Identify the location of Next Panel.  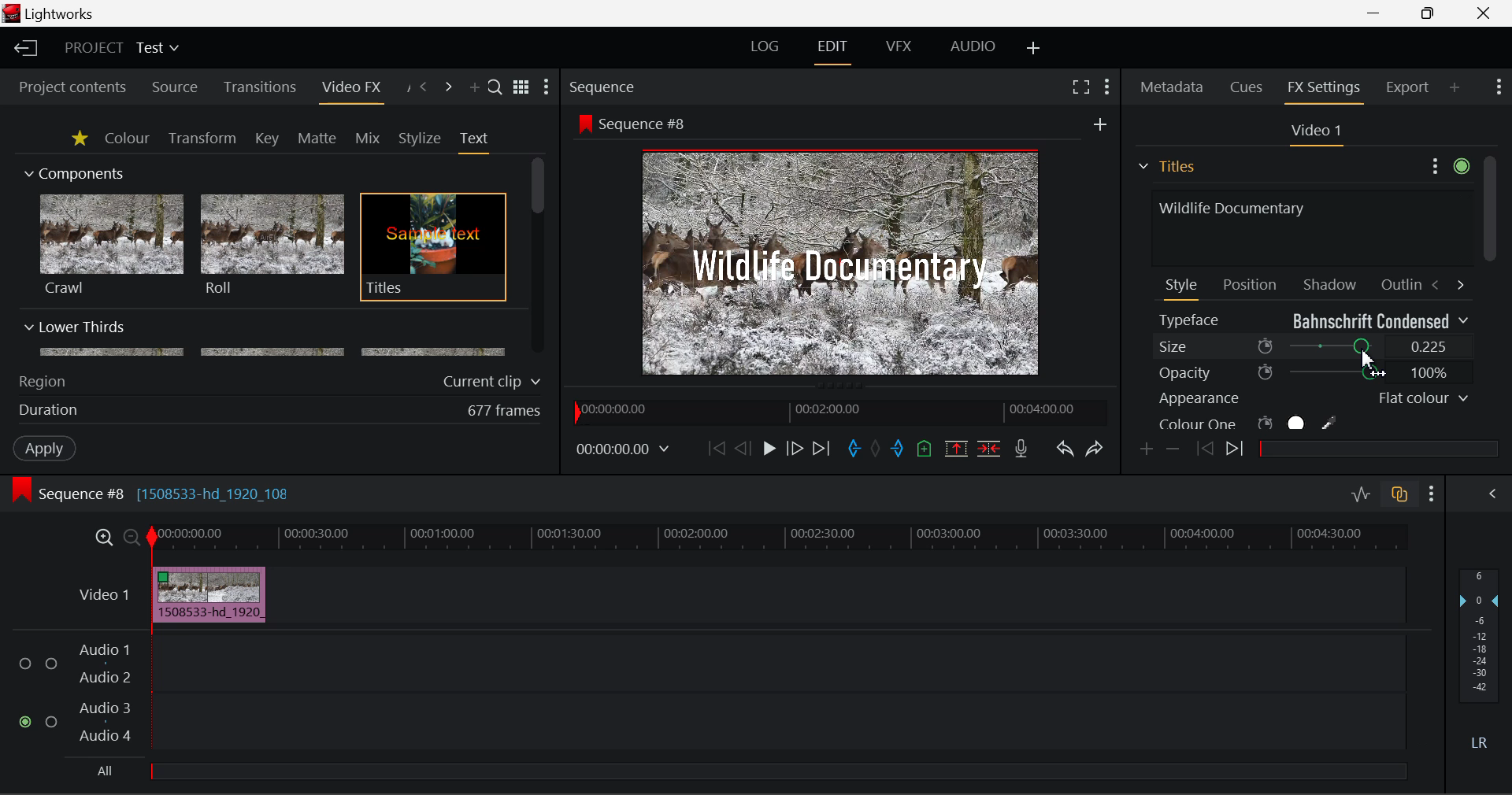
(450, 88).